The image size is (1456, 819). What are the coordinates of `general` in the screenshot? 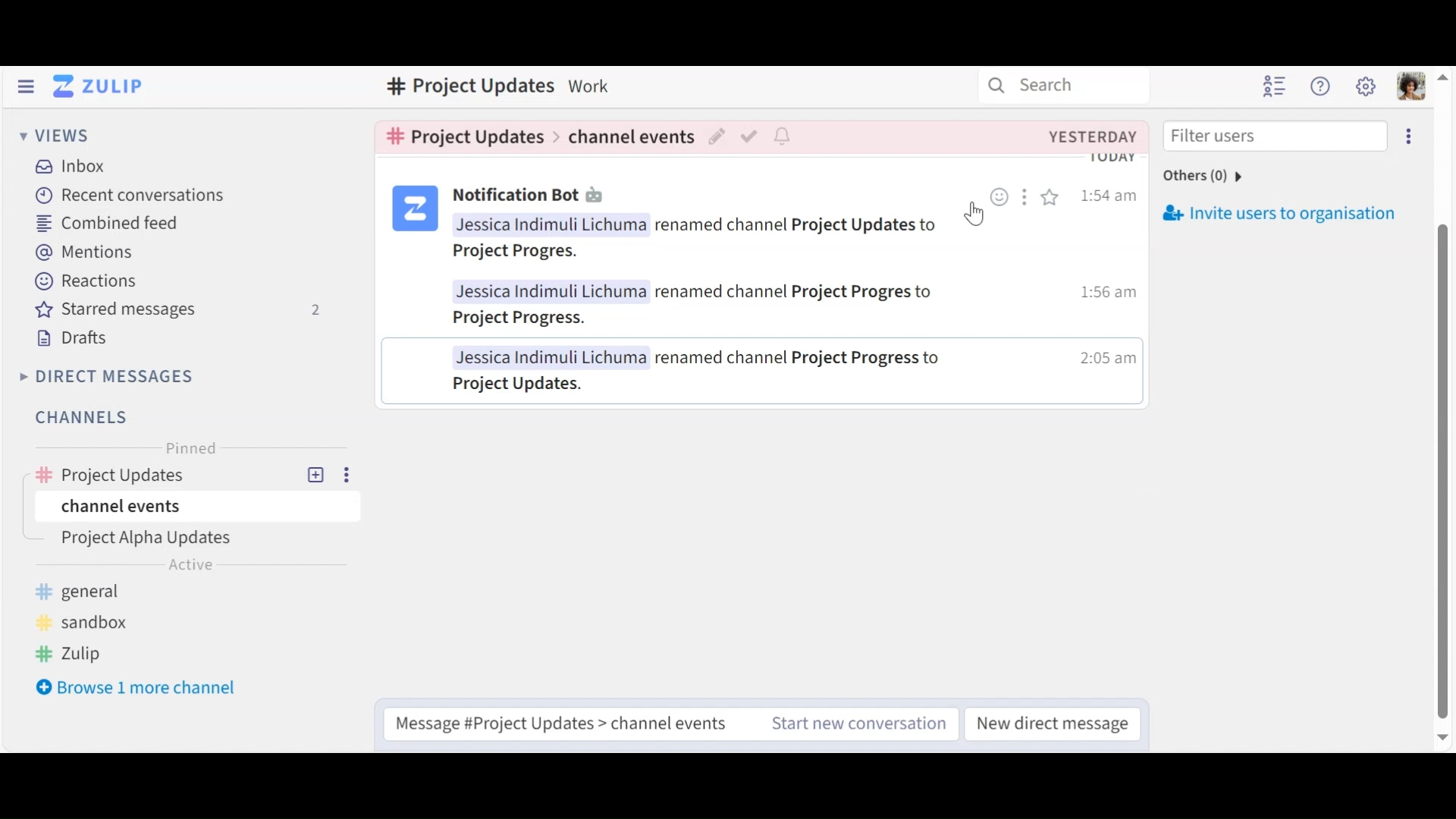 It's located at (87, 591).